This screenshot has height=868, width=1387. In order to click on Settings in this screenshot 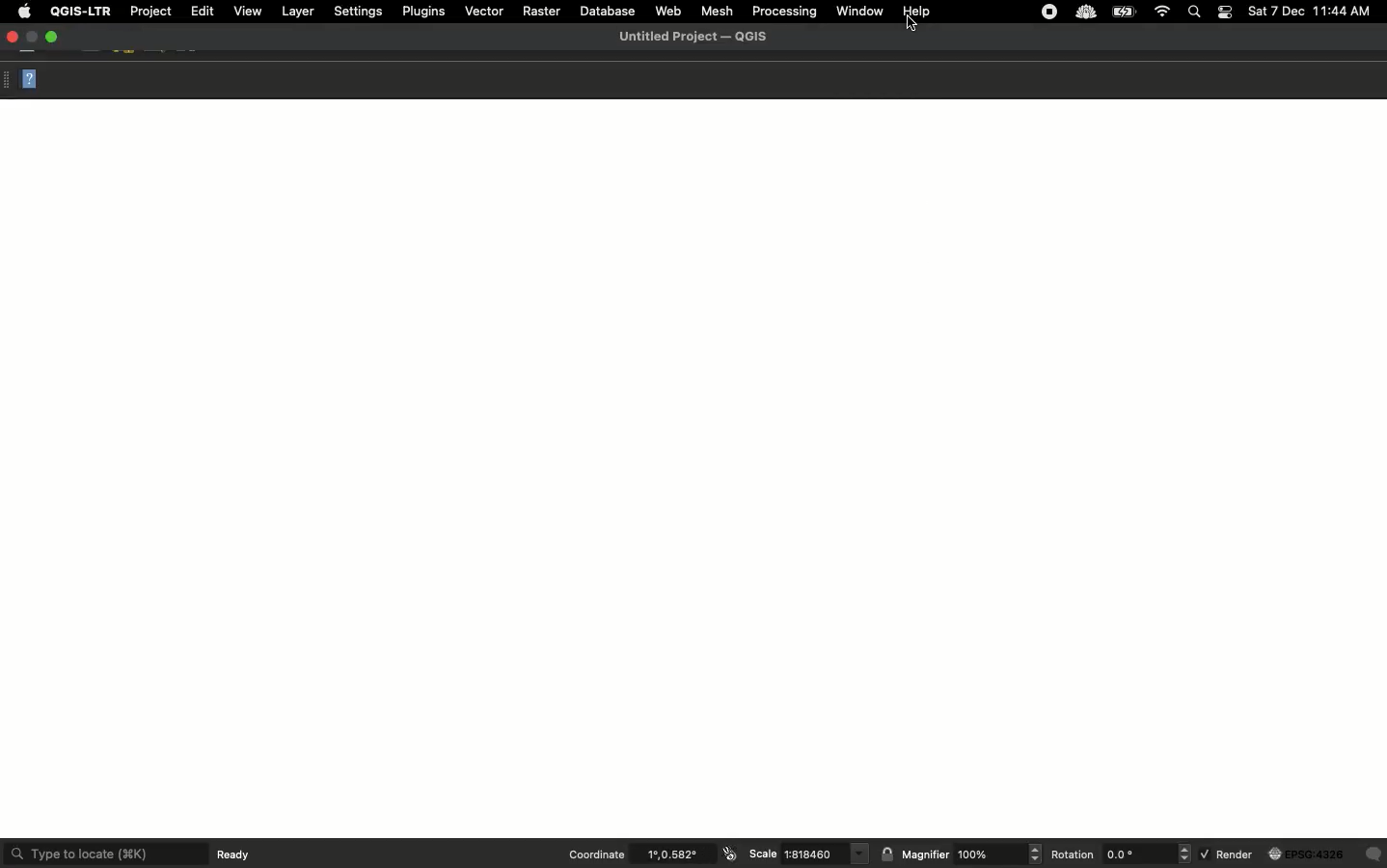, I will do `click(358, 10)`.